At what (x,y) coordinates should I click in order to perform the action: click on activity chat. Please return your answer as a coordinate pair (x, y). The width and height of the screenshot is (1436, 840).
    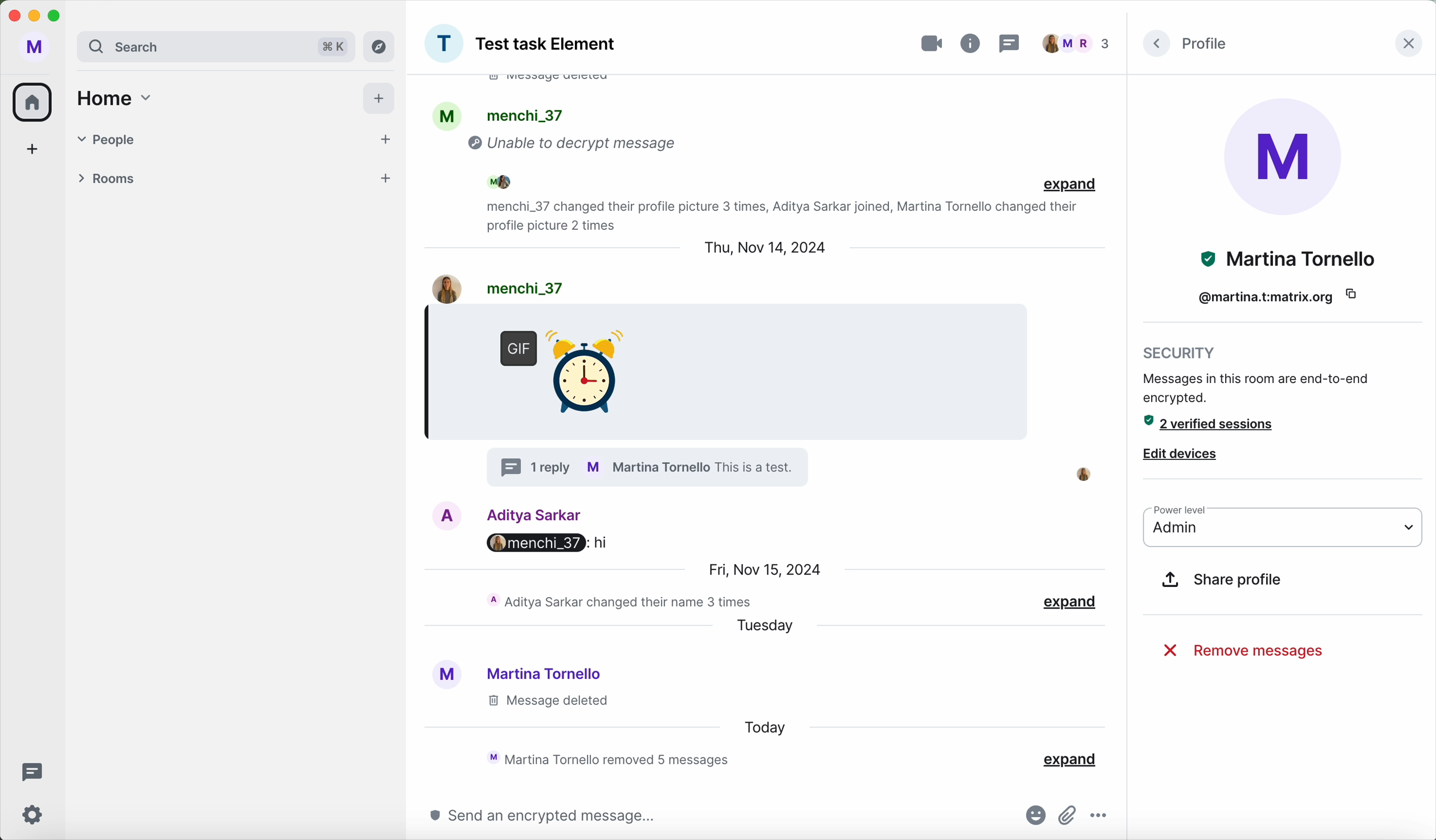
    Looking at the image, I should click on (622, 602).